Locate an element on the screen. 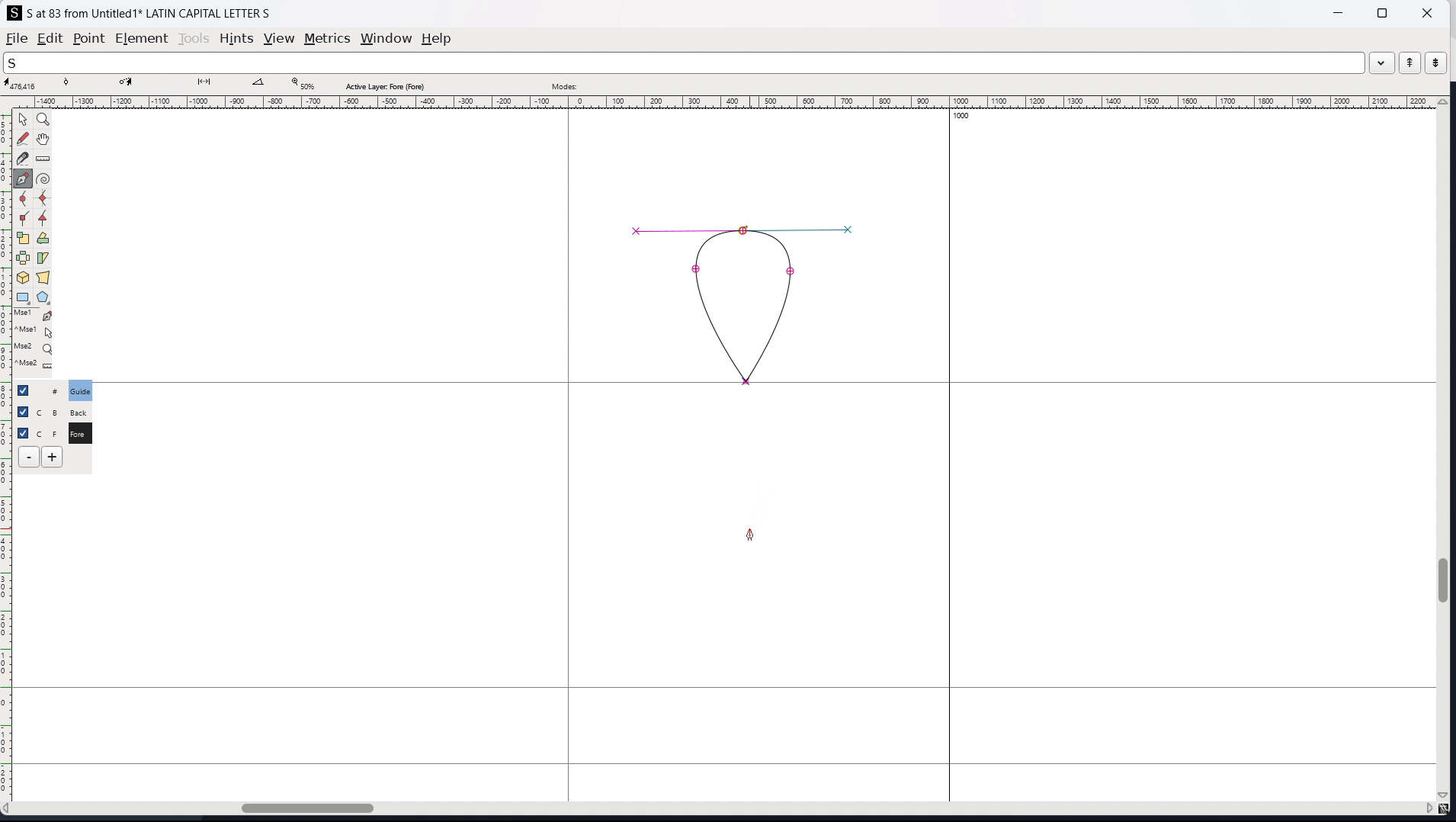  cursor is located at coordinates (751, 536).